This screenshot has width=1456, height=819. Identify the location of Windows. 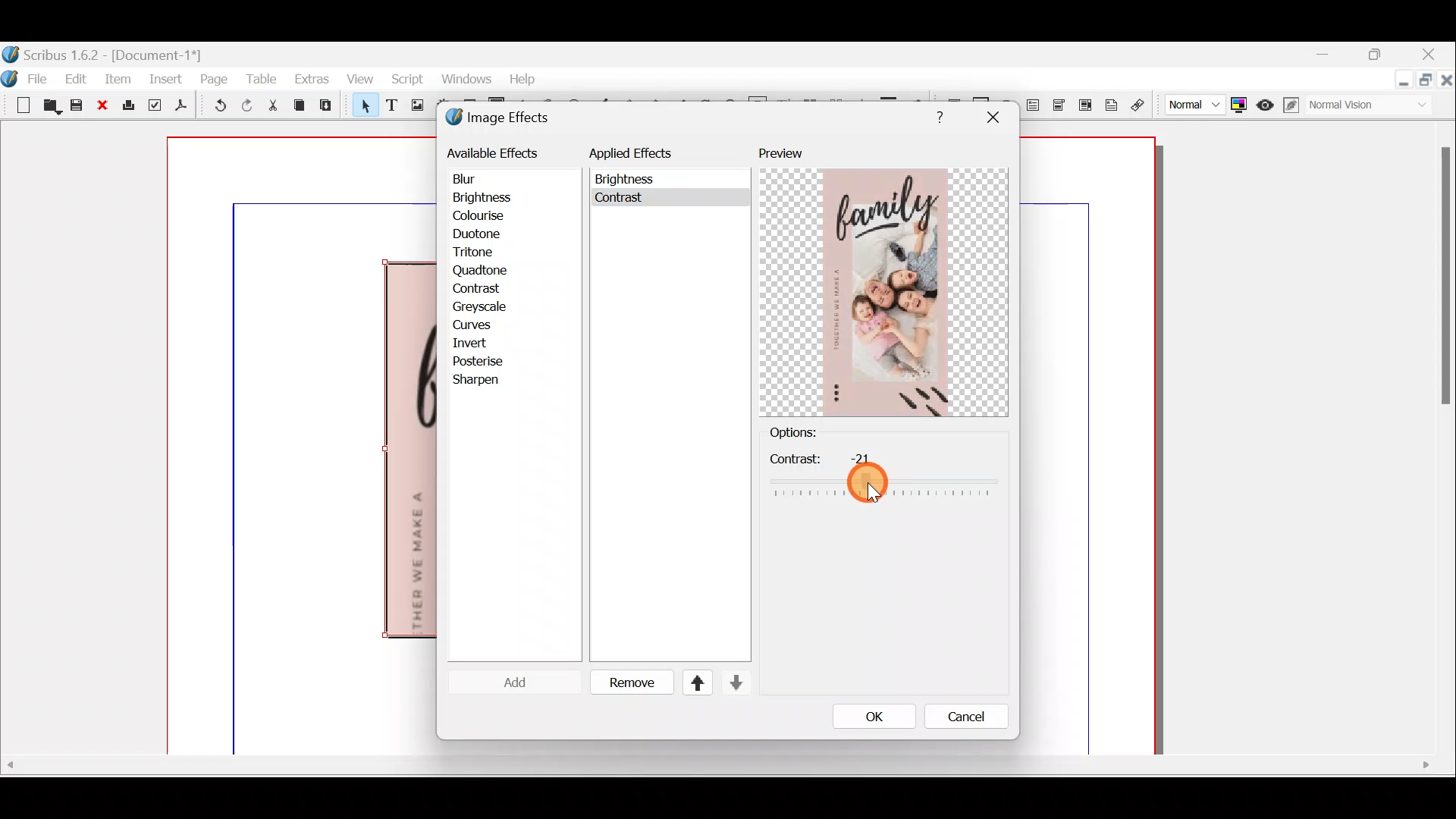
(462, 79).